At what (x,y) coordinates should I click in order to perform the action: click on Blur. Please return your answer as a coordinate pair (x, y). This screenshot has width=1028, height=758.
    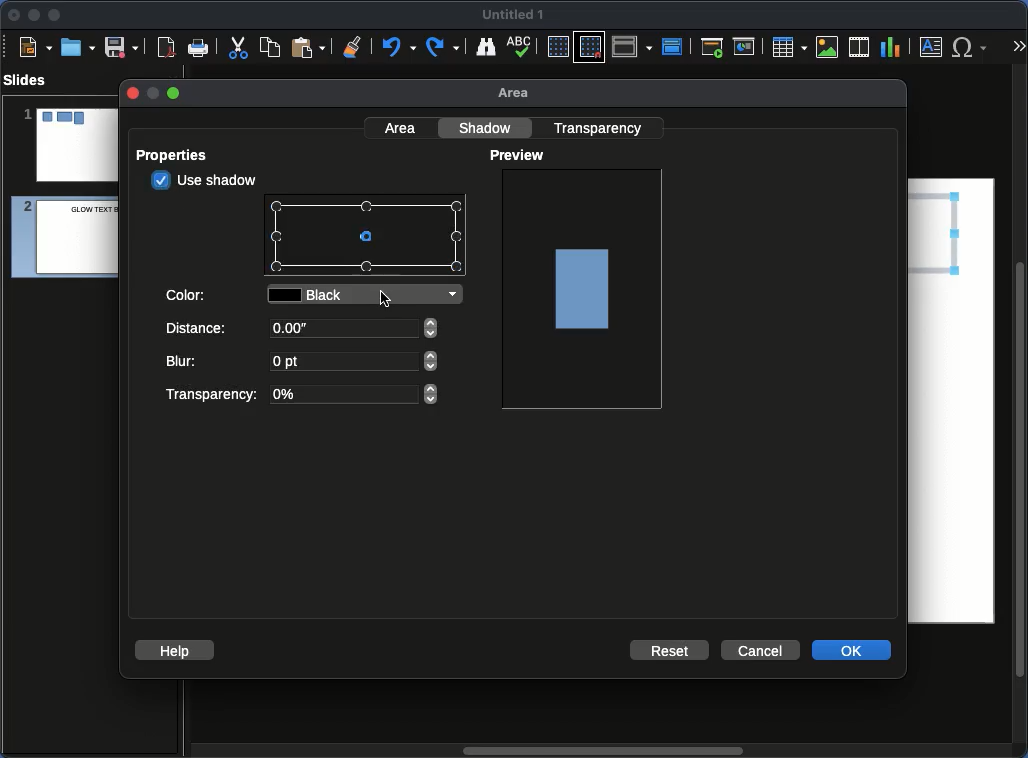
    Looking at the image, I should click on (303, 363).